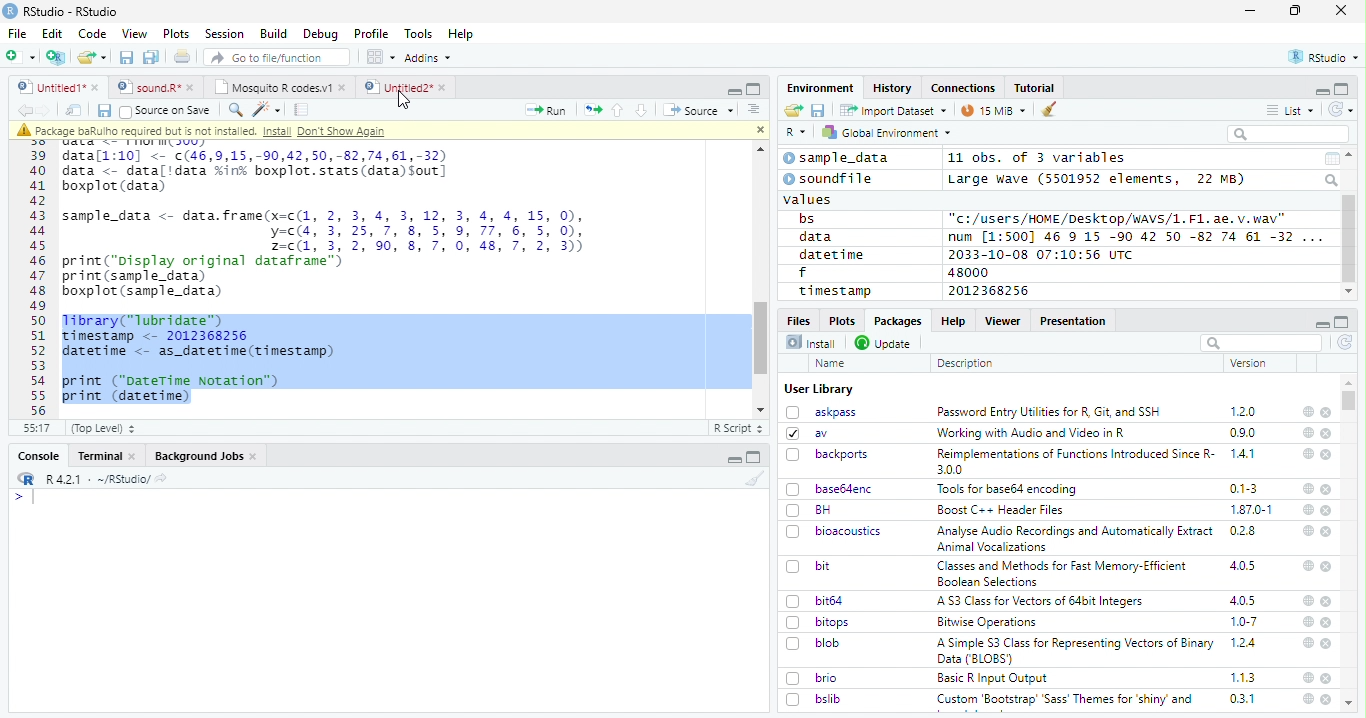  I want to click on num [1:500] 46 9 15 -90 42 50 -82 74 61 -32 ..., so click(1135, 236).